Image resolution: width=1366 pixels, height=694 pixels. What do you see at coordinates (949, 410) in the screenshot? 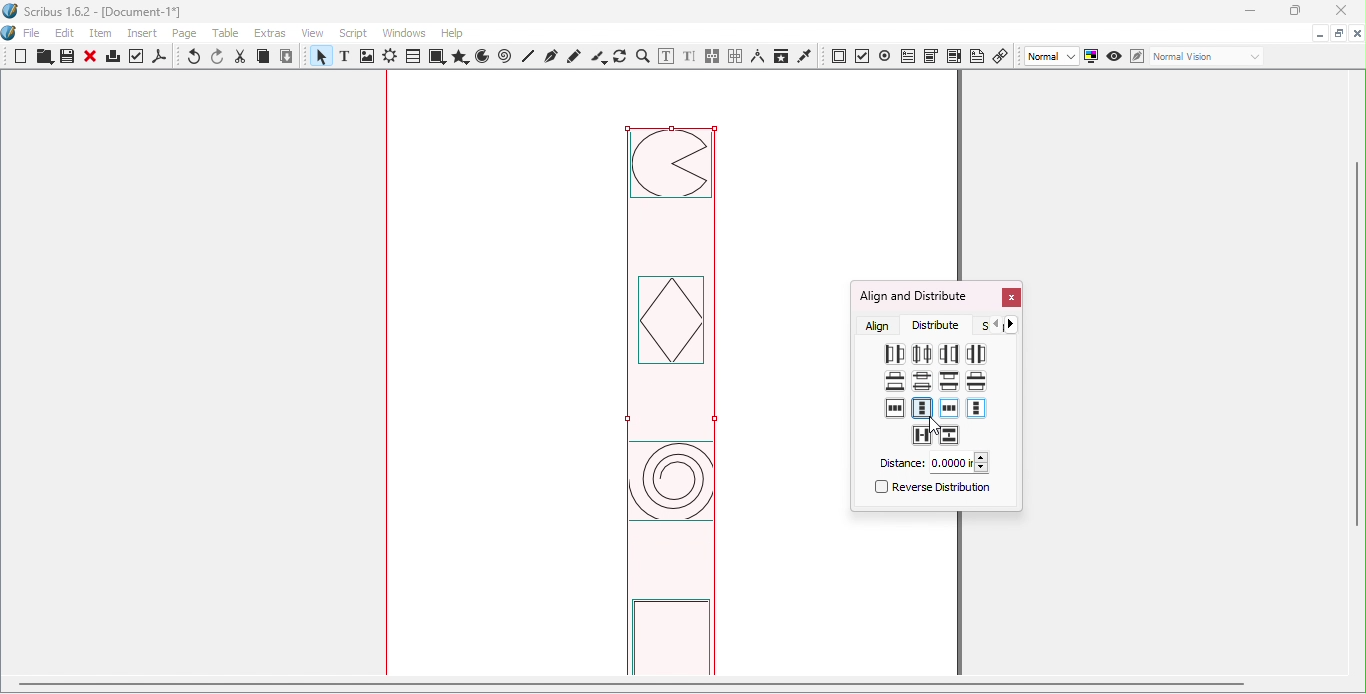
I see `Make horizontal gaps between items and sides of page margin equal` at bounding box center [949, 410].